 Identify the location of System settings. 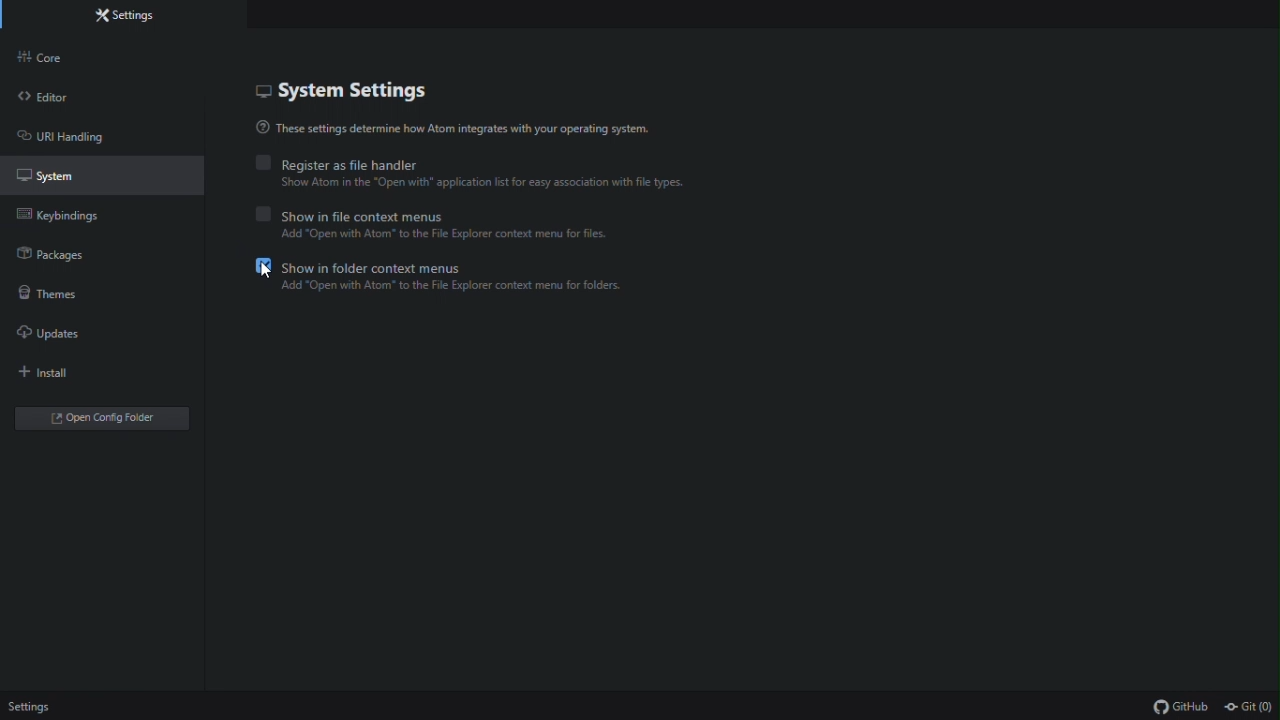
(351, 92).